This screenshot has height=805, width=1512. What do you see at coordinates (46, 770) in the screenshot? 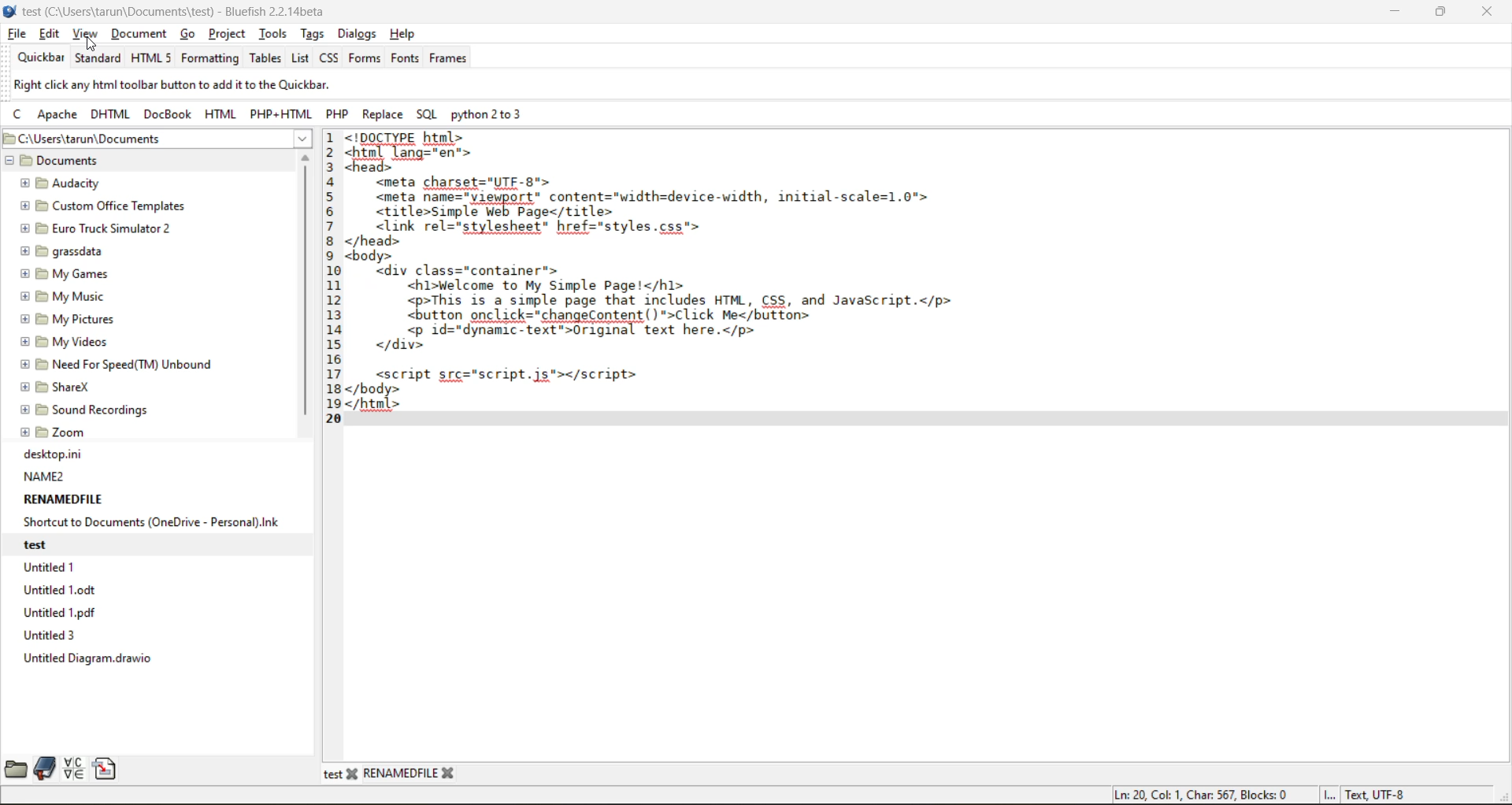
I see `bookmarks` at bounding box center [46, 770].